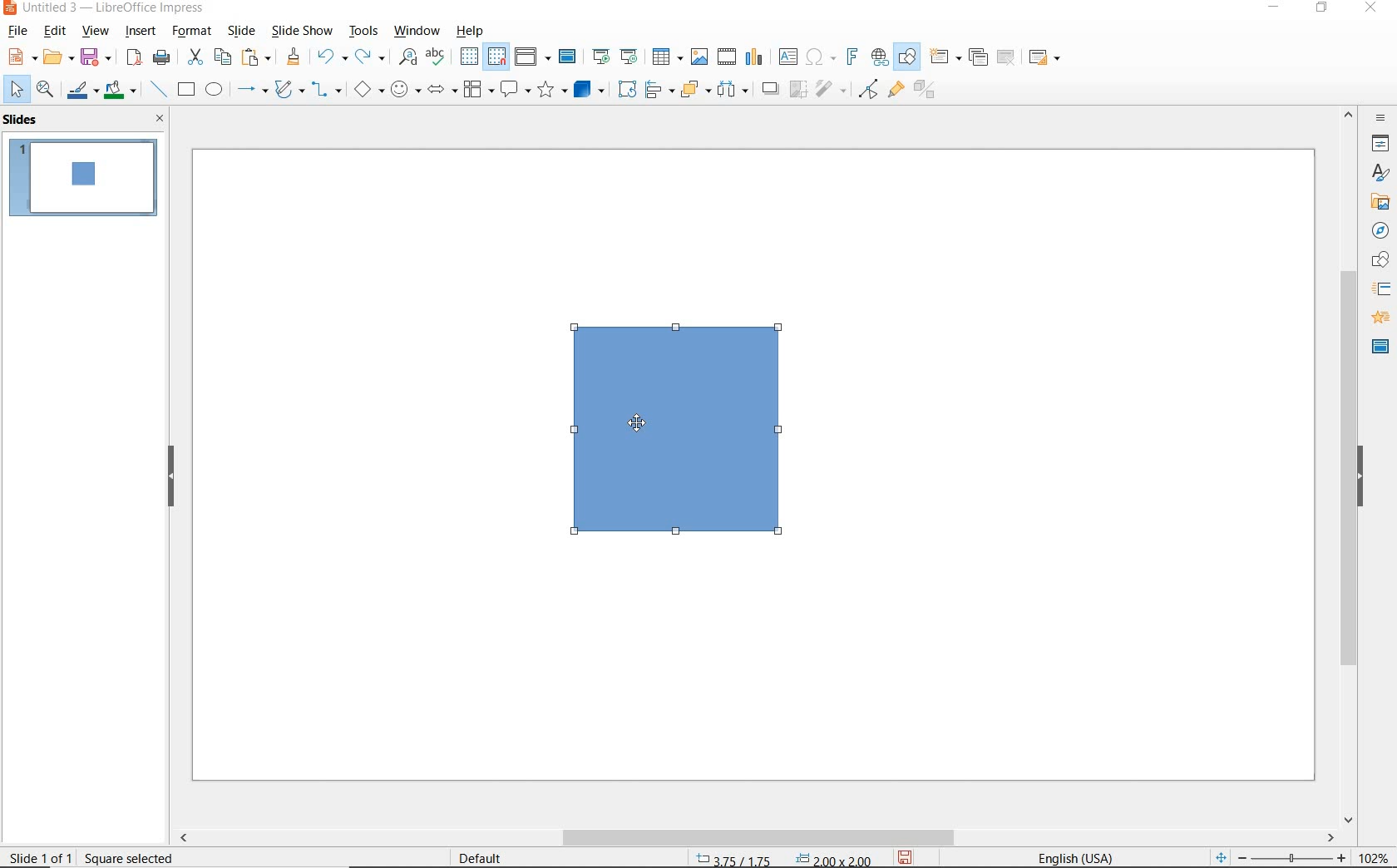  What do you see at coordinates (771, 89) in the screenshot?
I see `shadow` at bounding box center [771, 89].